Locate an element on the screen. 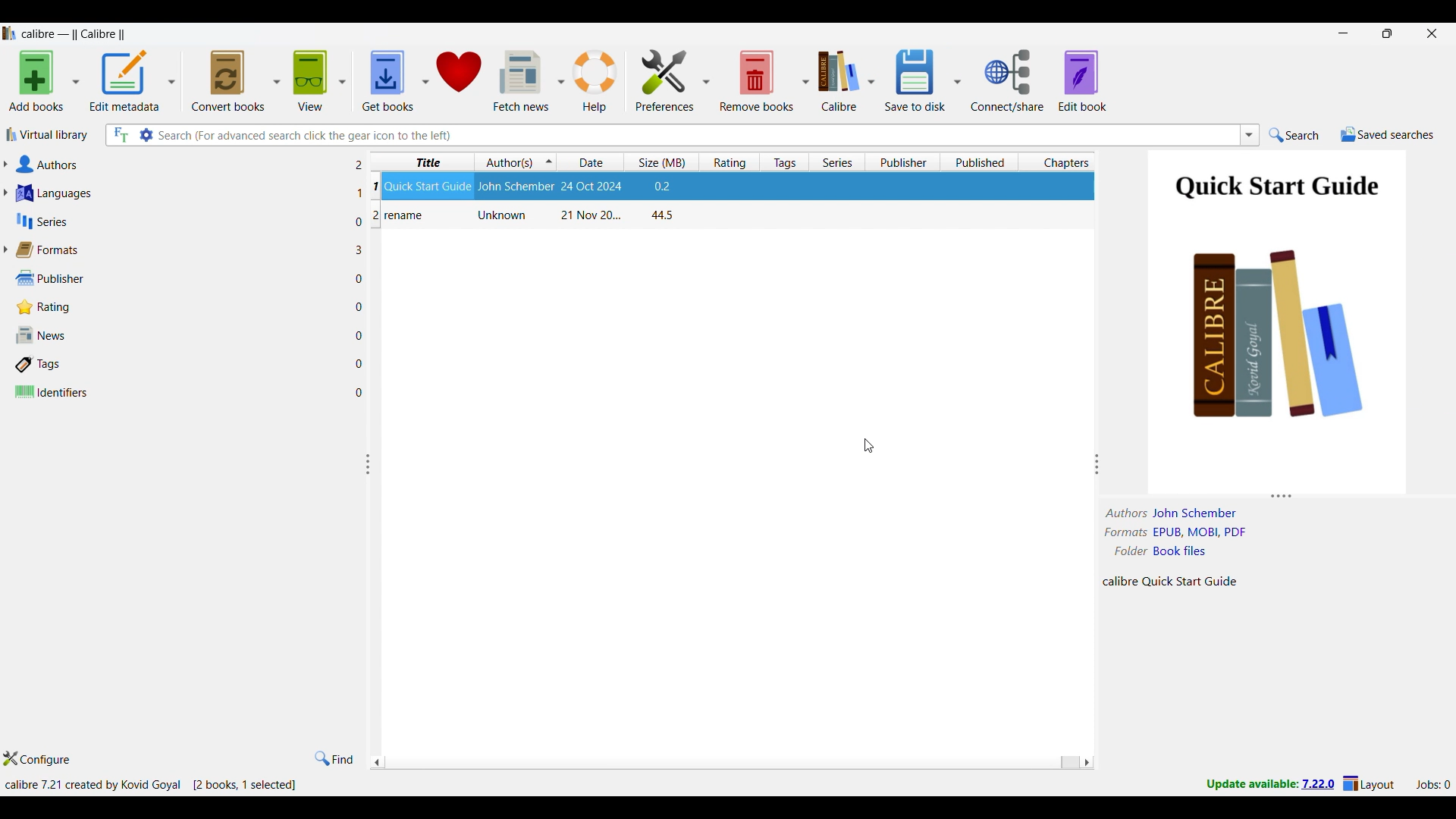 This screenshot has width=1456, height=819. Languages is located at coordinates (180, 193).